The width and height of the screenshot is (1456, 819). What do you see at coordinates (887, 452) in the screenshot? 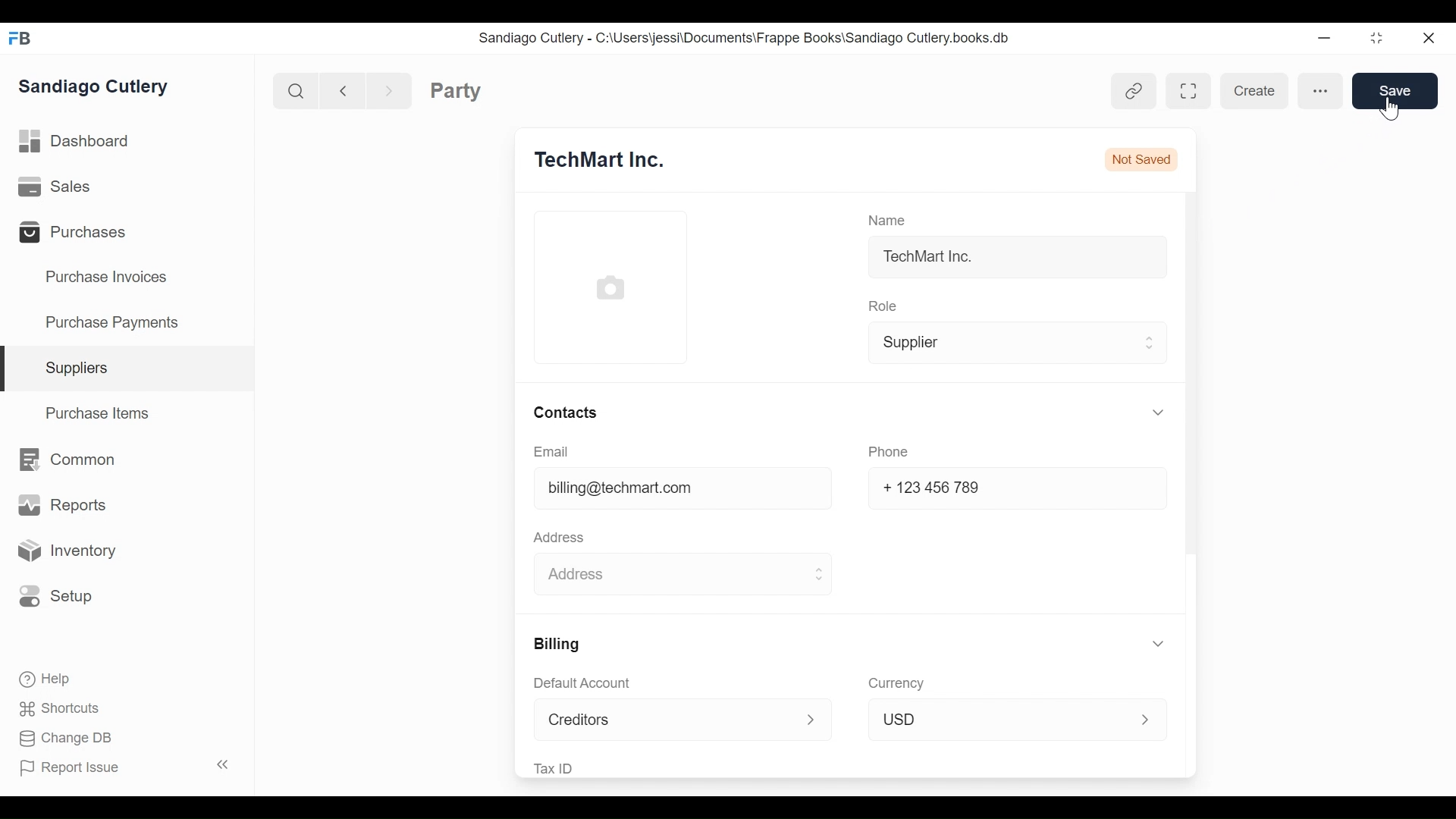
I see `Phone` at bounding box center [887, 452].